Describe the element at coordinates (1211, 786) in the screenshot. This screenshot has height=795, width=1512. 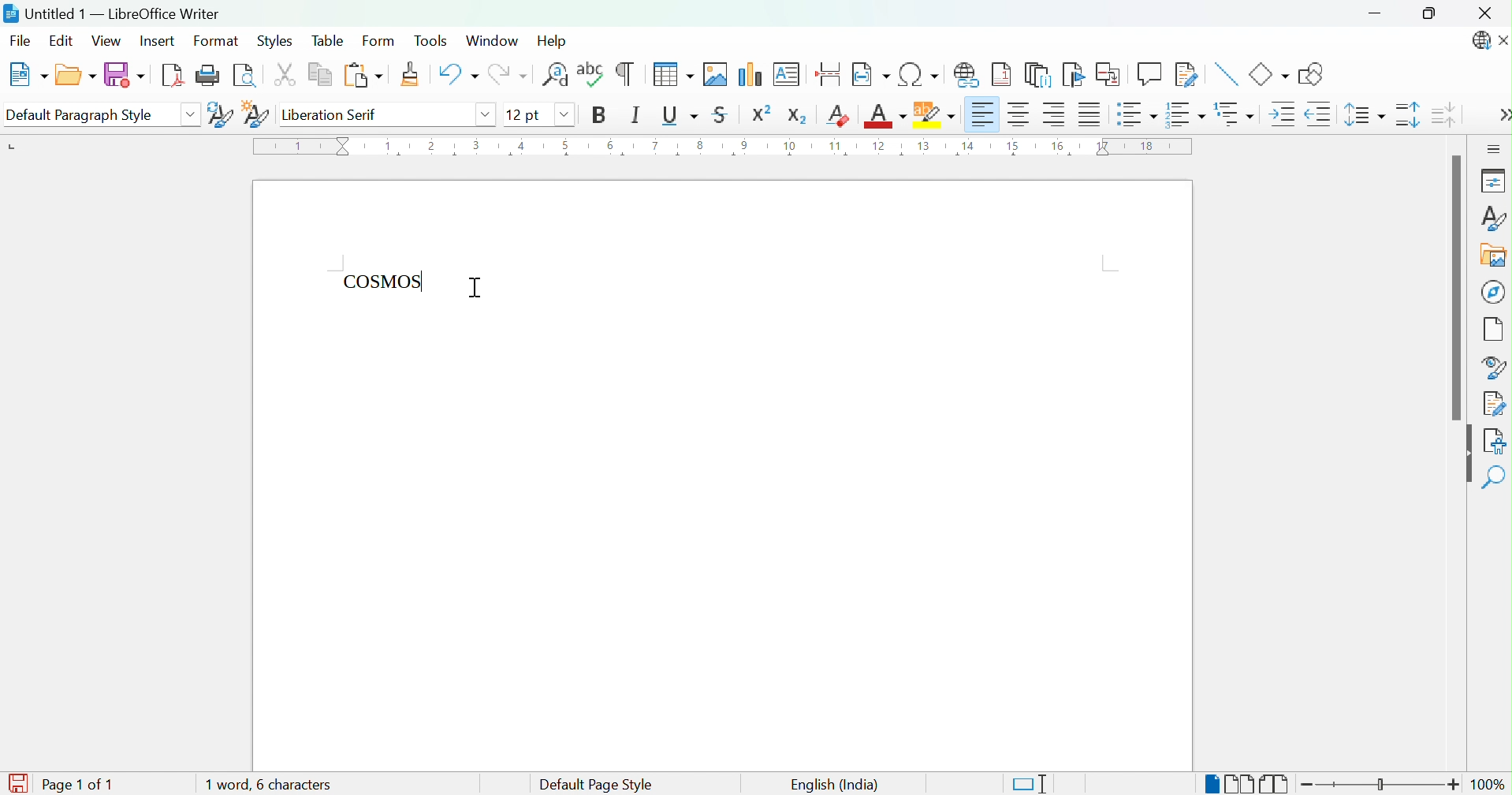
I see `Single-page view` at that location.